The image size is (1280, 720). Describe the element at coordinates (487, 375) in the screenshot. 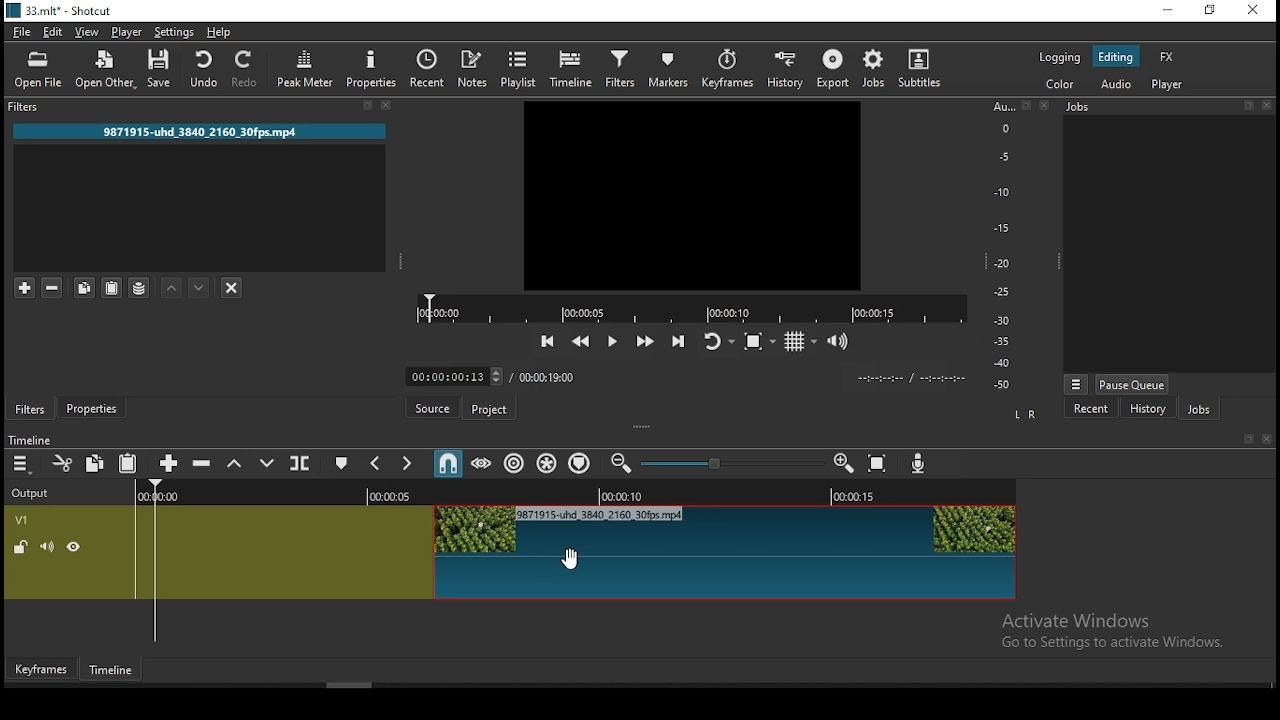

I see `timer` at that location.